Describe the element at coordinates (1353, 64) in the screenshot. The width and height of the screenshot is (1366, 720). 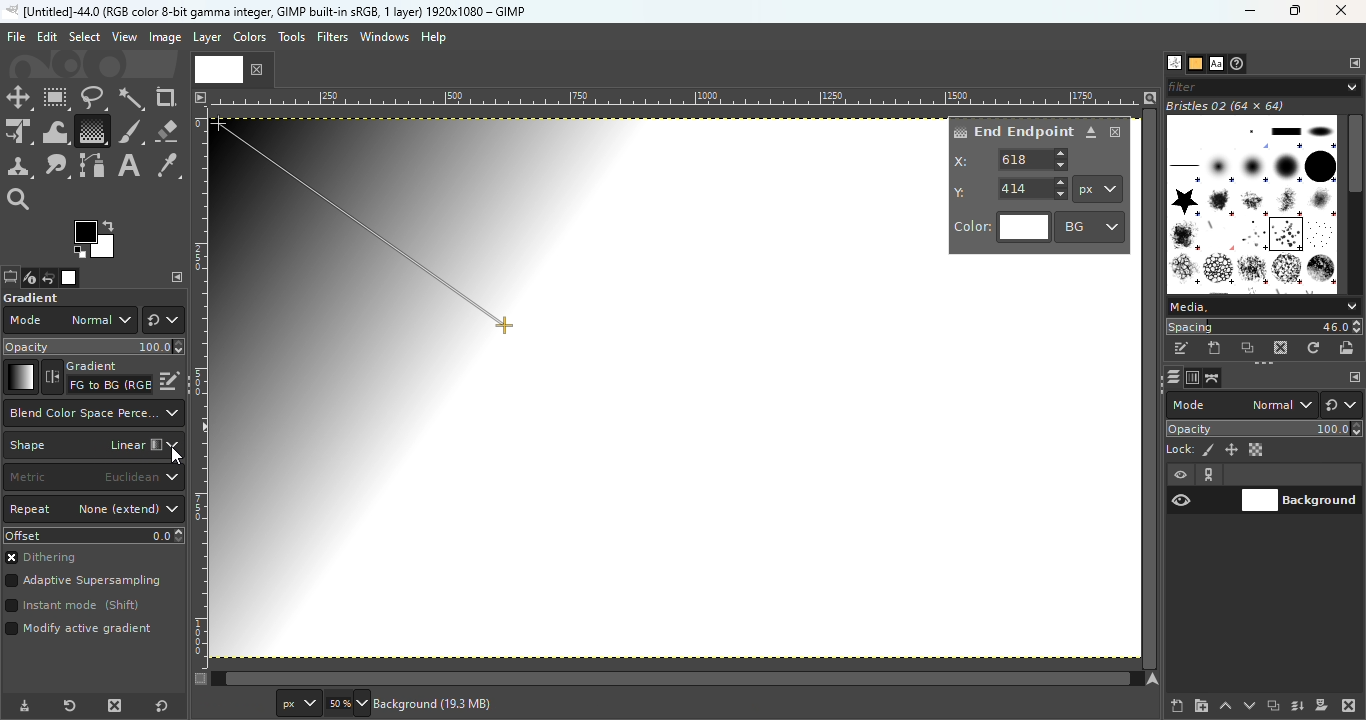
I see `Configure this tab` at that location.